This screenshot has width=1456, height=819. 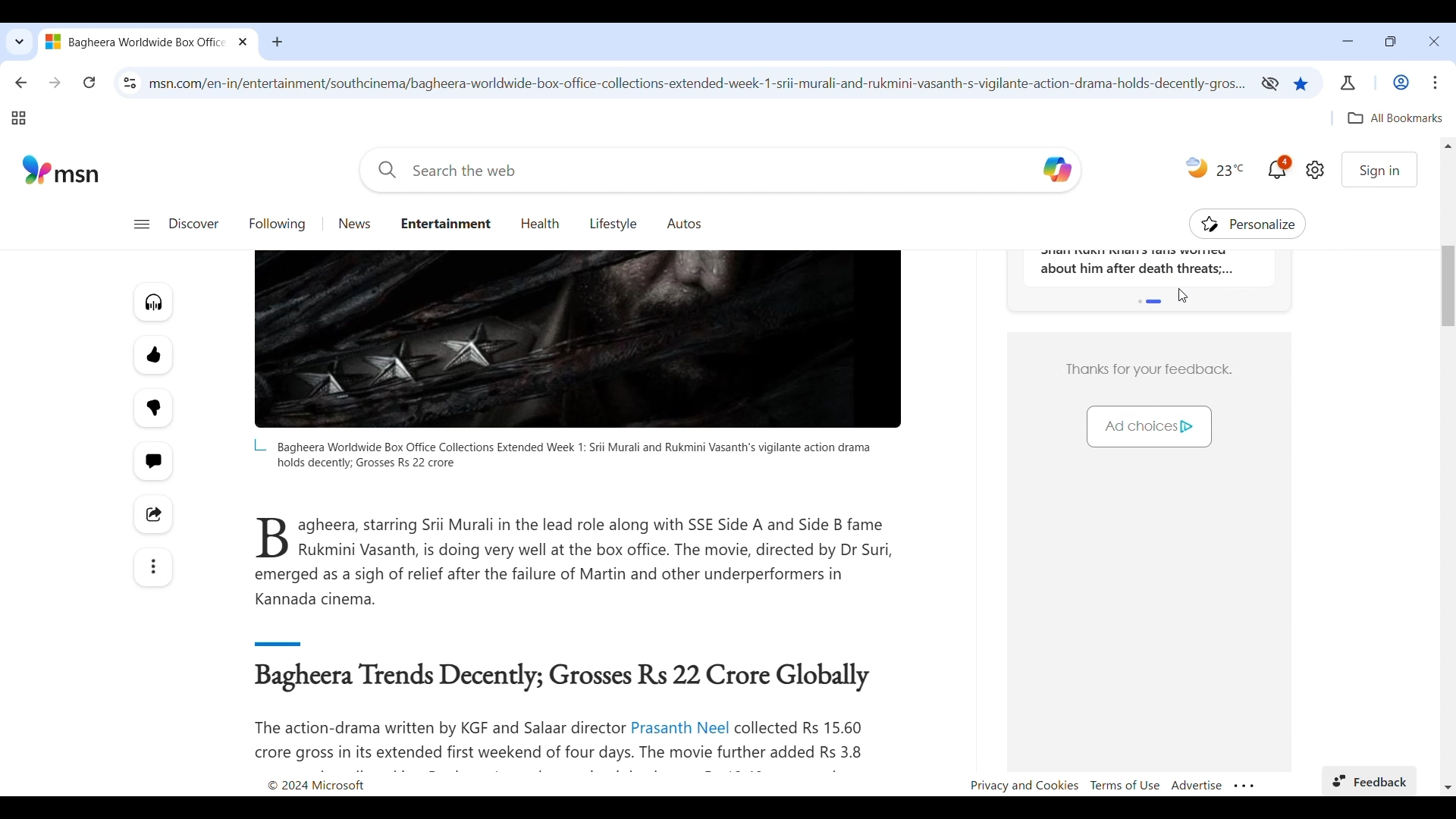 What do you see at coordinates (326, 785) in the screenshot?
I see `copyright 2024 microsoft` at bounding box center [326, 785].